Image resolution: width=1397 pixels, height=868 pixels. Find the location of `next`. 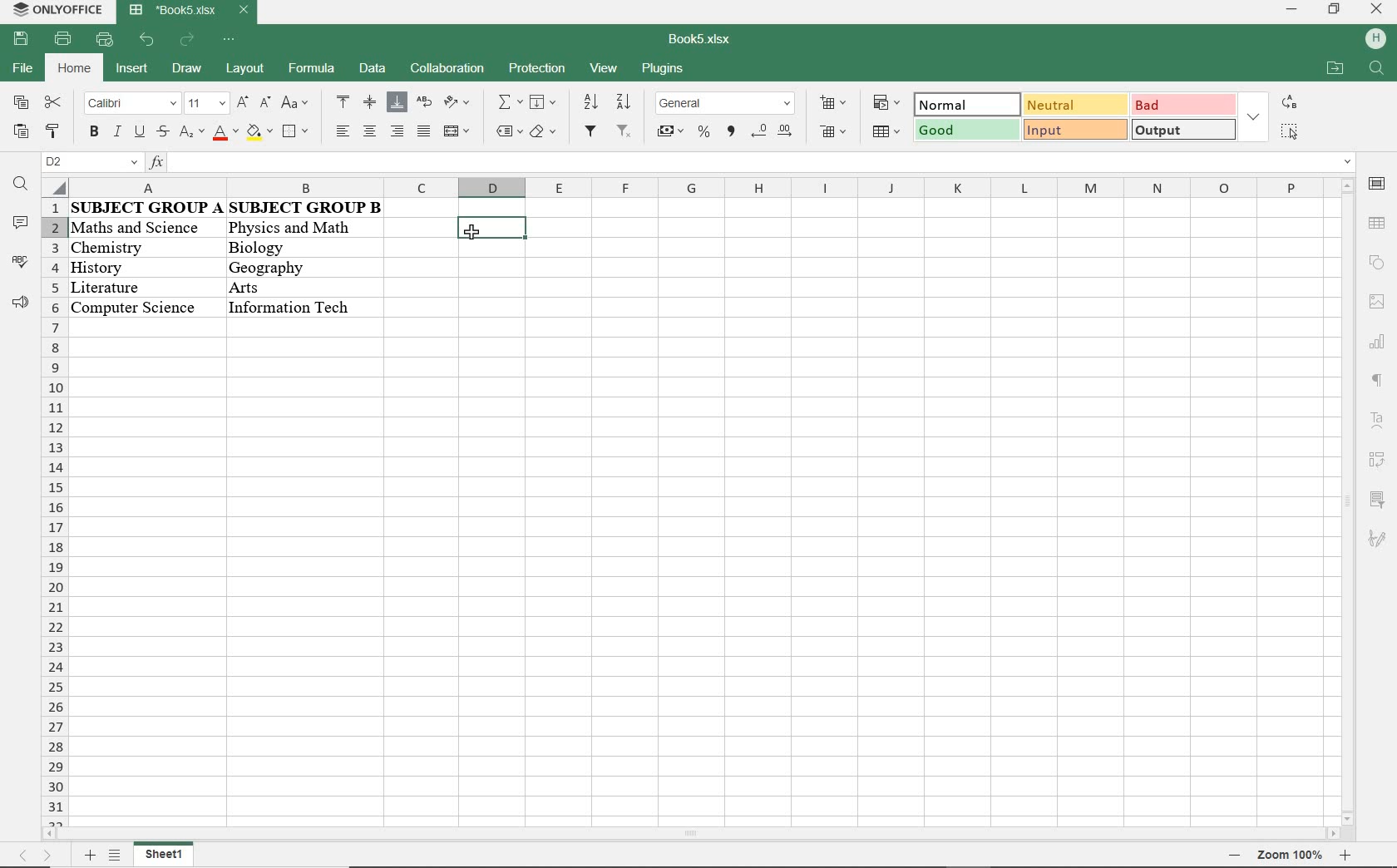

next is located at coordinates (44, 858).